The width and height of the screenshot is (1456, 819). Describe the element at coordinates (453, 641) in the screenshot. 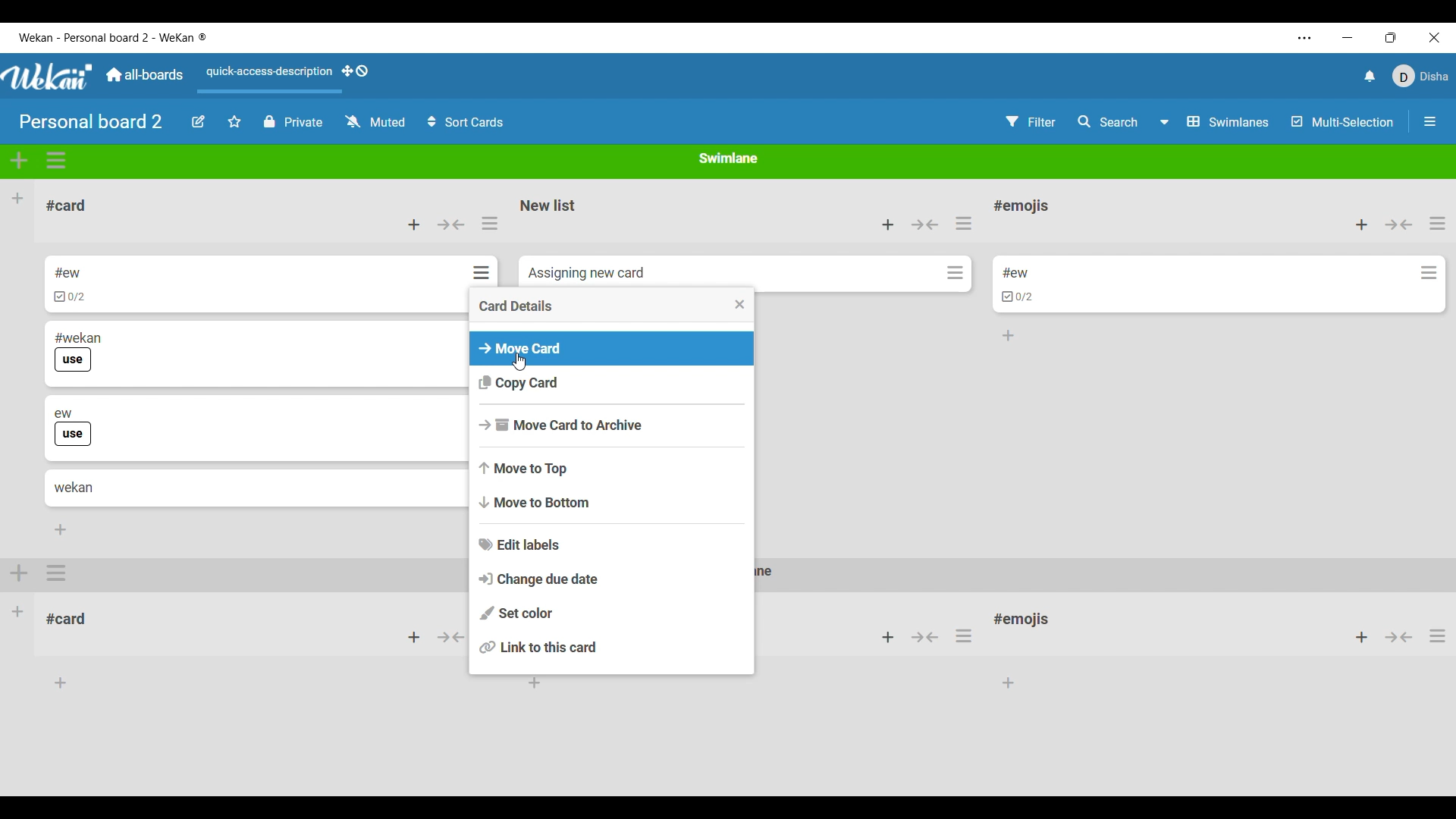

I see `button` at that location.